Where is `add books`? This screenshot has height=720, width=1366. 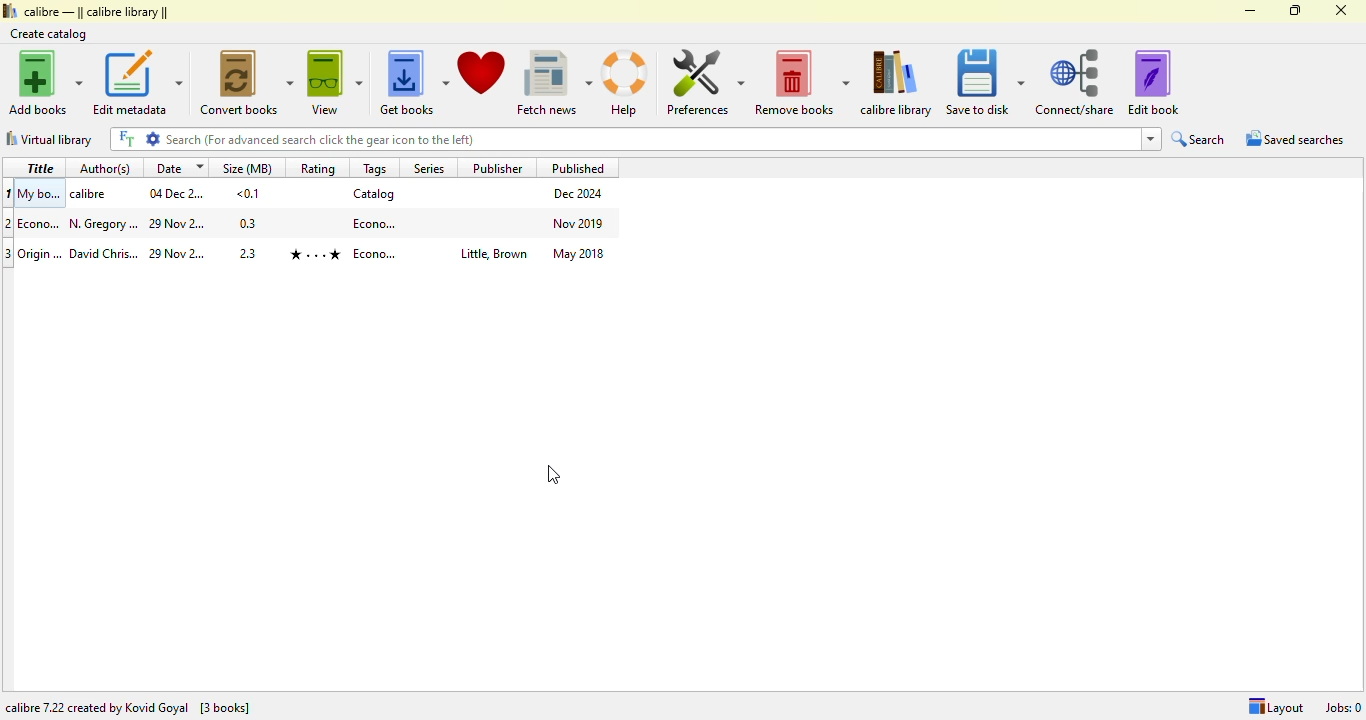
add books is located at coordinates (44, 82).